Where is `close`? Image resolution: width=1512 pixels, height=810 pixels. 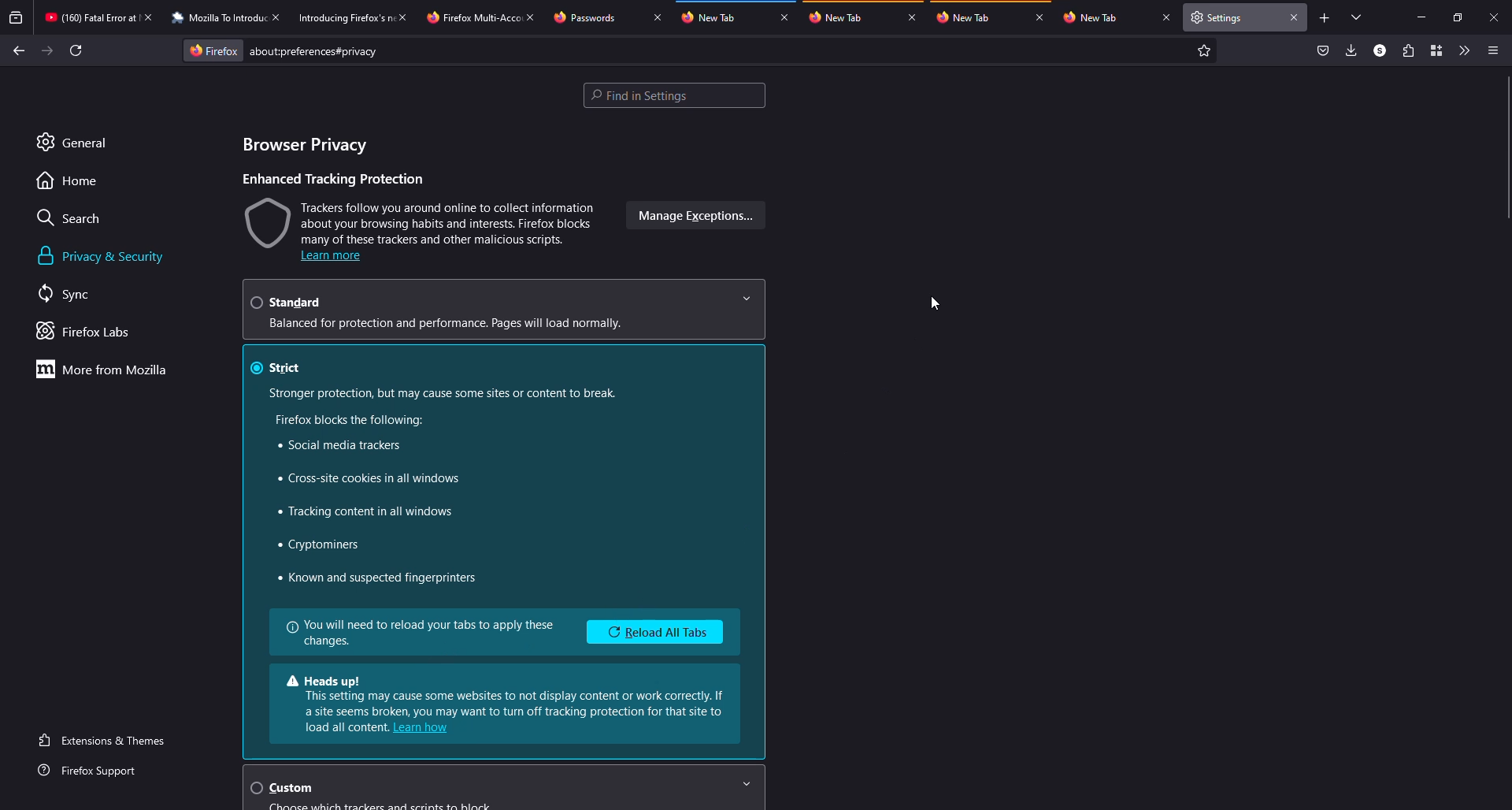
close is located at coordinates (1040, 18).